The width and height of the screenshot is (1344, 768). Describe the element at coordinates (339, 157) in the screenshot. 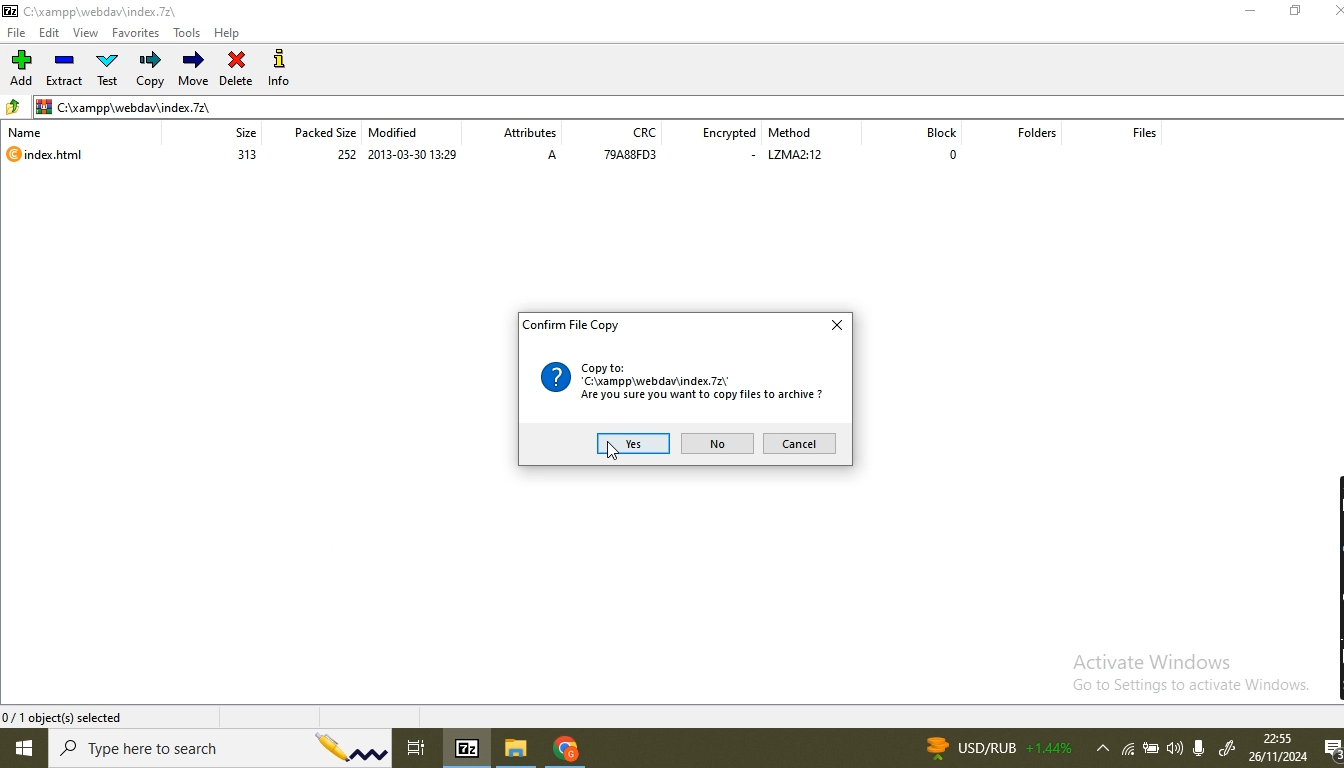

I see `252` at that location.